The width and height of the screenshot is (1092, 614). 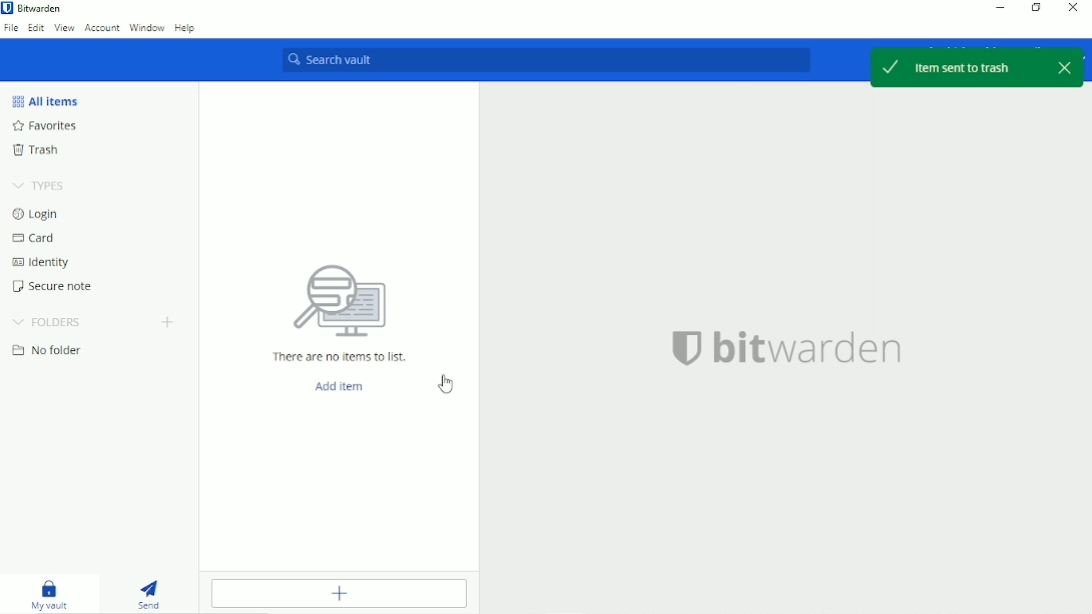 I want to click on Secure note, so click(x=54, y=286).